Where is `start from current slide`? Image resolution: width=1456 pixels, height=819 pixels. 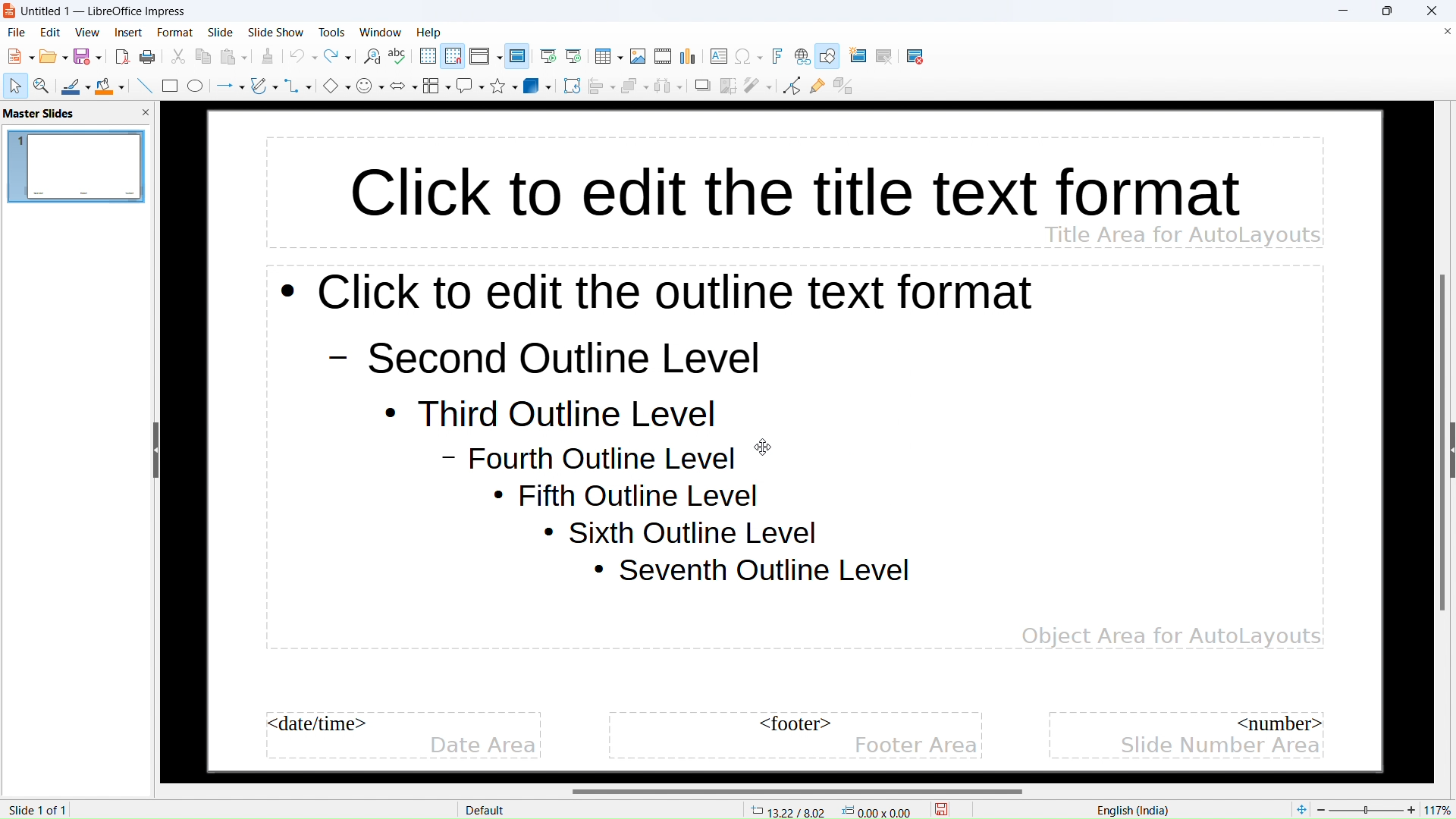
start from current slide is located at coordinates (574, 56).